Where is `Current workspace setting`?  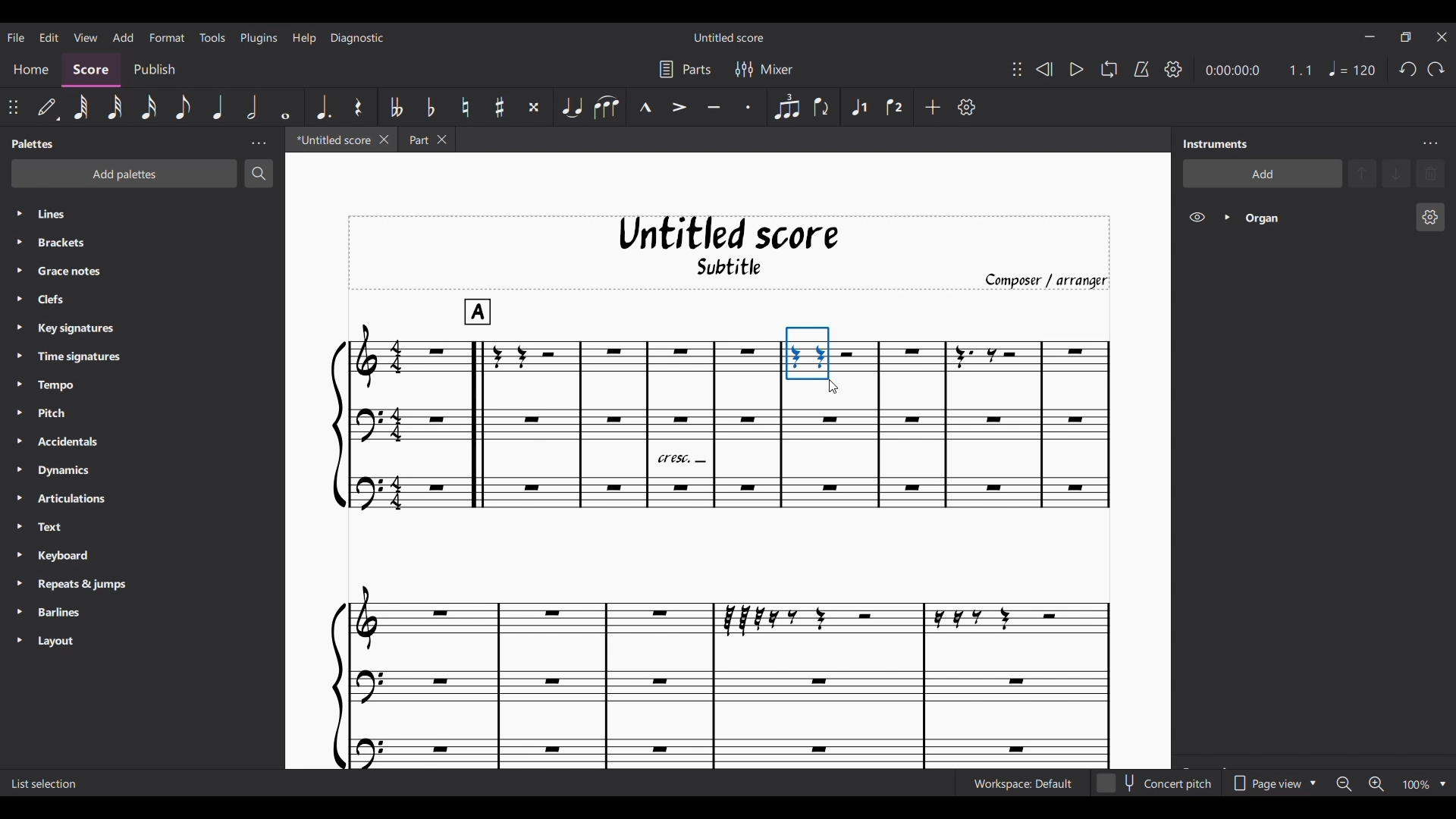 Current workspace setting is located at coordinates (1022, 784).